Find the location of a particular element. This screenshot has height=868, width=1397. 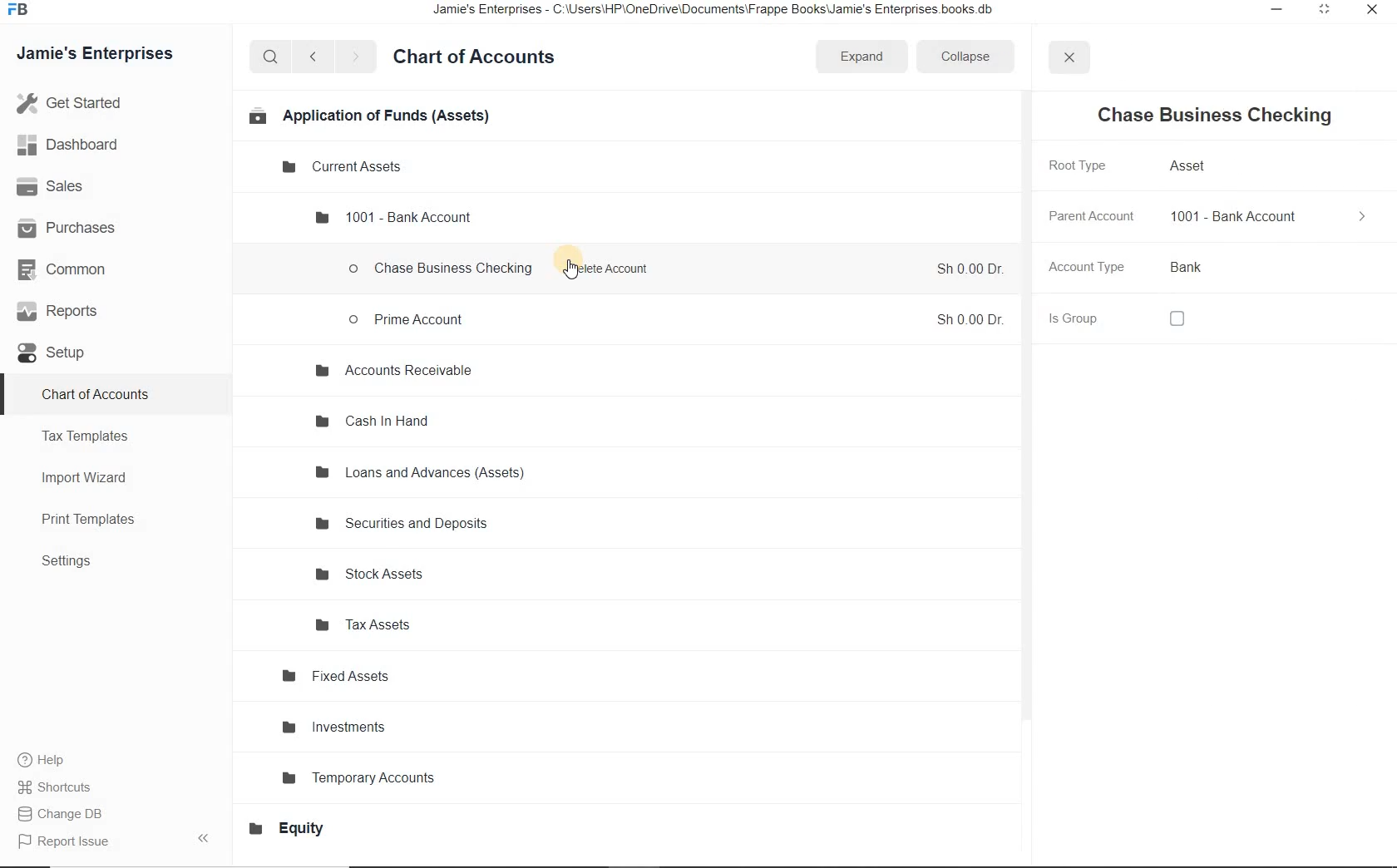

Fixed Assets is located at coordinates (337, 677).